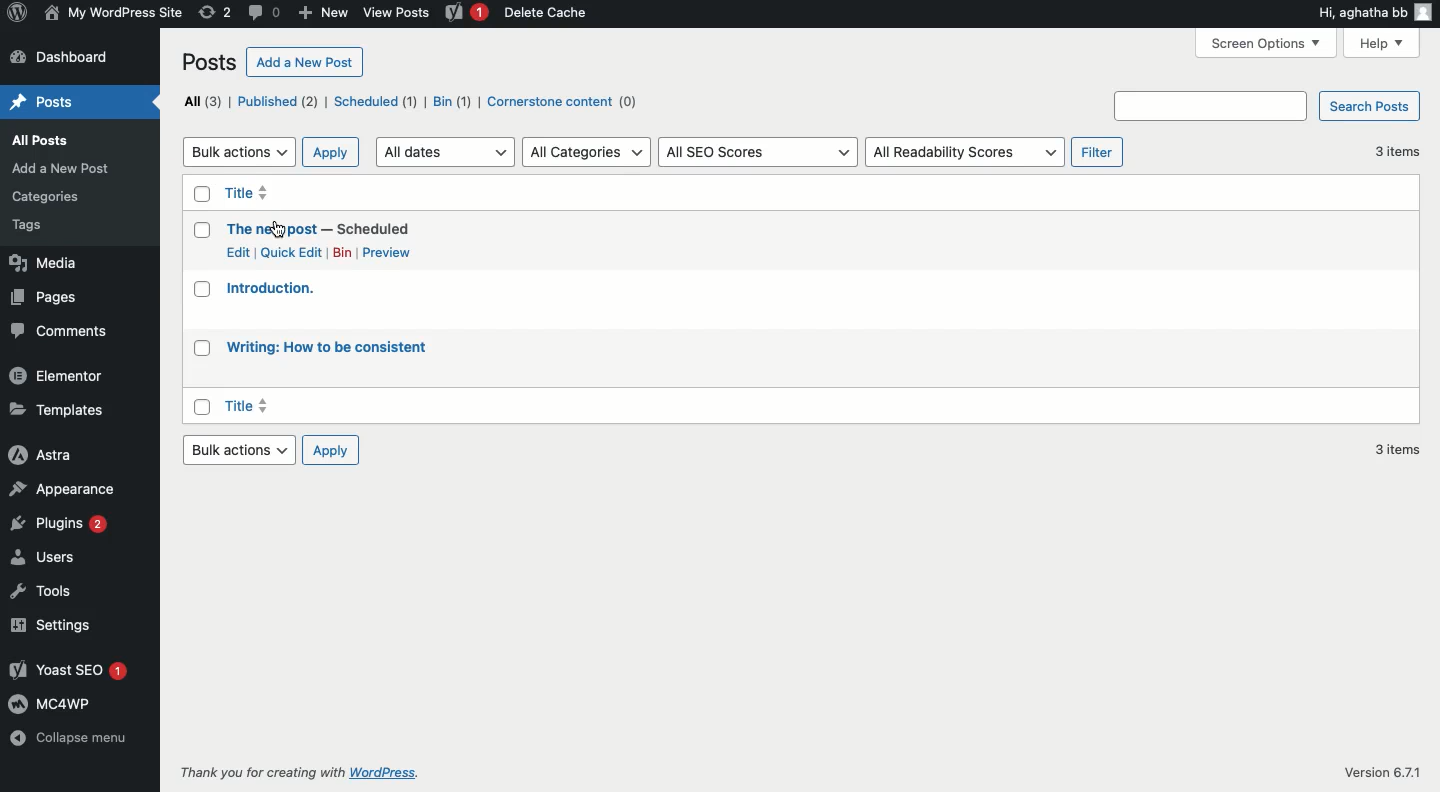 The width and height of the screenshot is (1440, 792). What do you see at coordinates (270, 288) in the screenshot?
I see `Introduction` at bounding box center [270, 288].